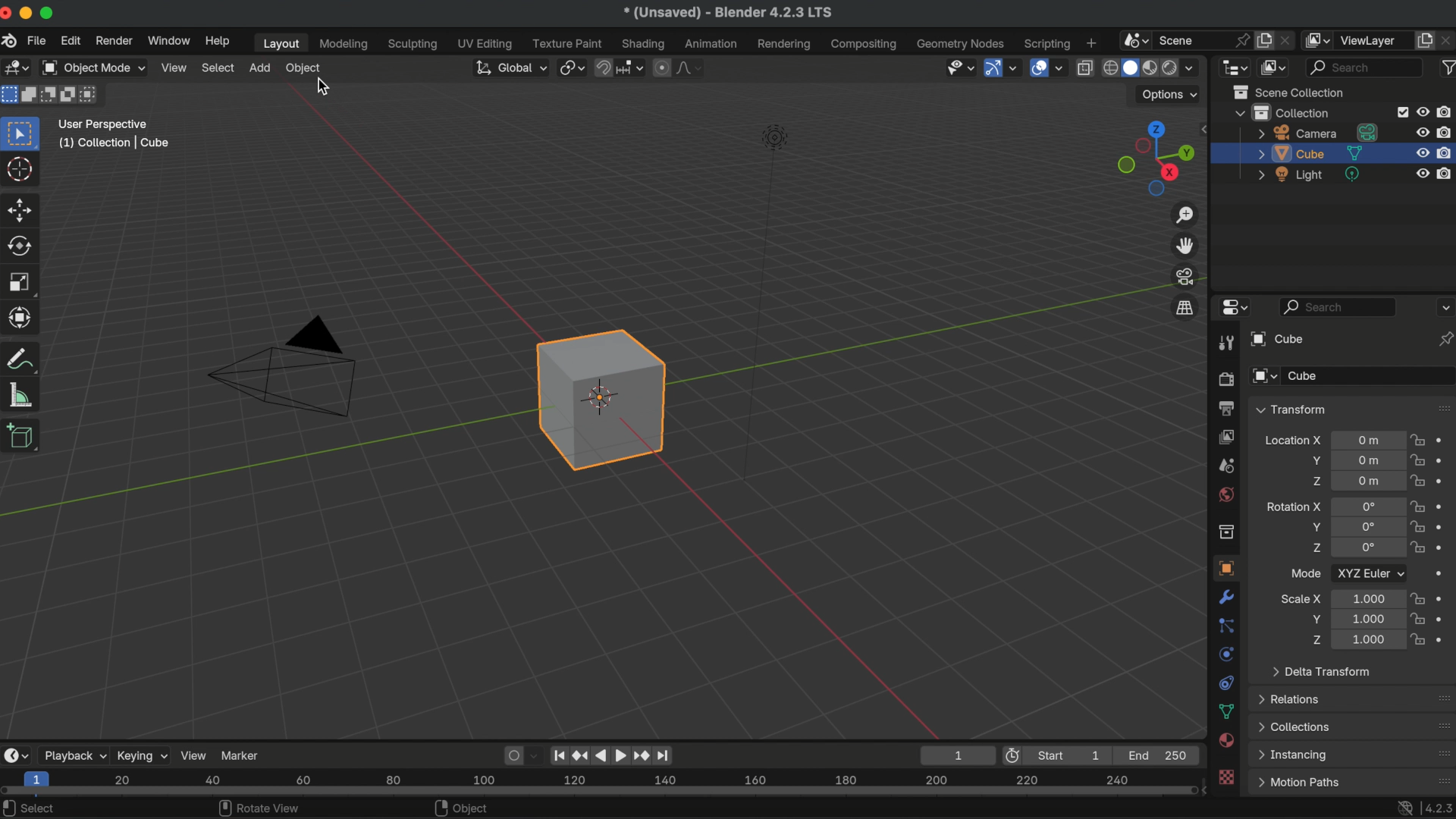 The height and width of the screenshot is (819, 1456). Describe the element at coordinates (1225, 436) in the screenshot. I see `view layer` at that location.